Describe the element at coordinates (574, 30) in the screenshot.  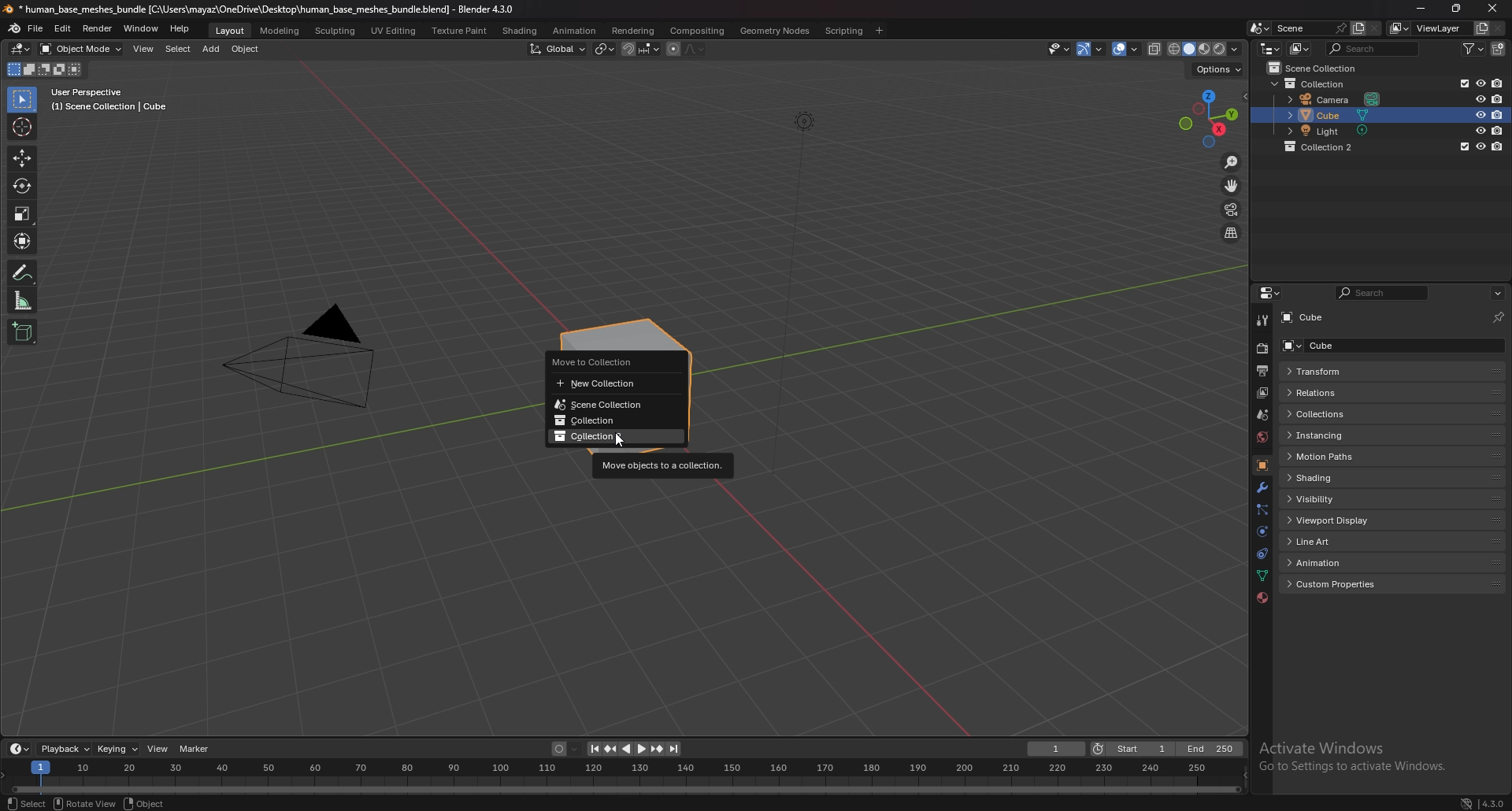
I see `anination` at that location.